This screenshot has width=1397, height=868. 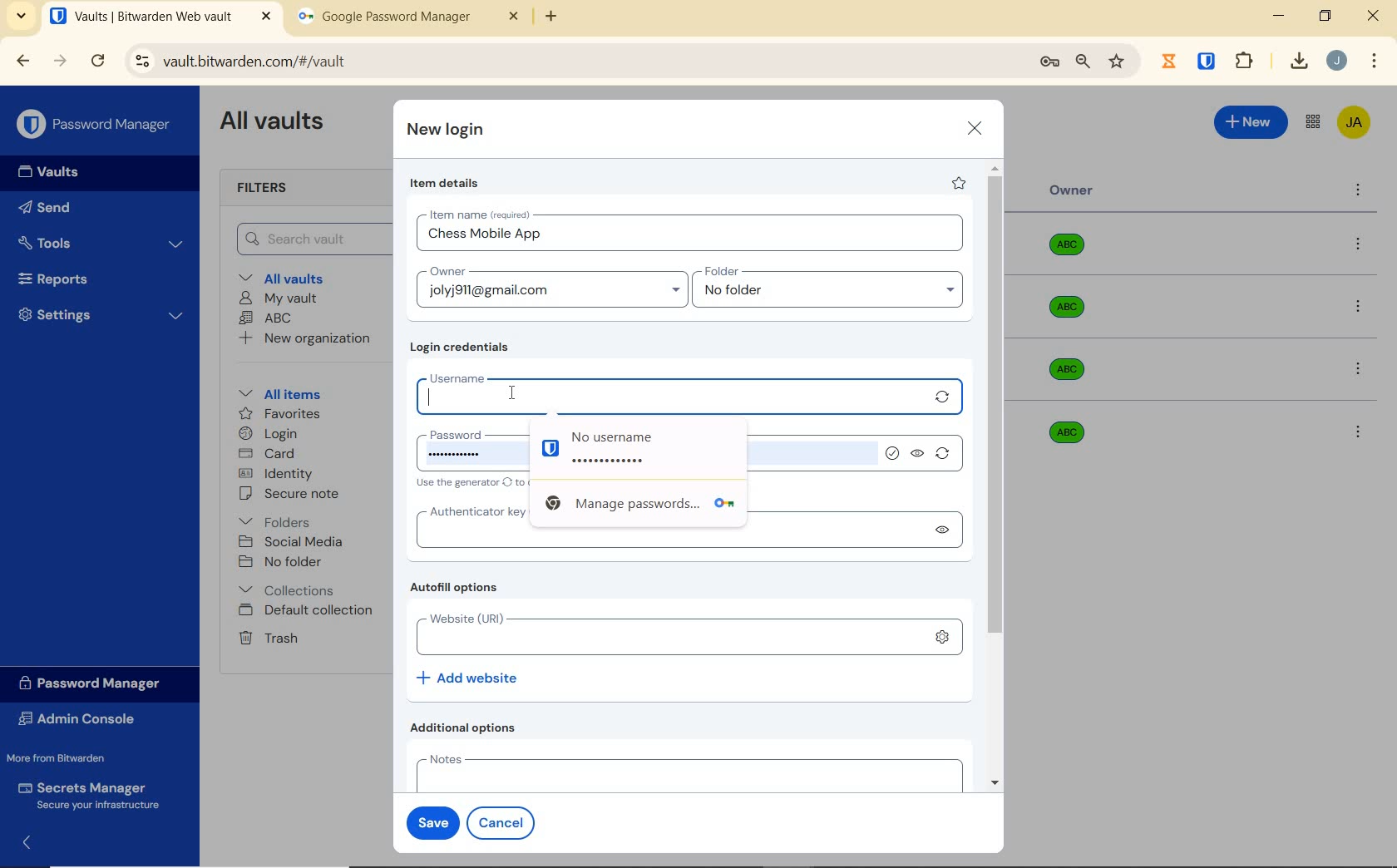 I want to click on username, so click(x=667, y=393).